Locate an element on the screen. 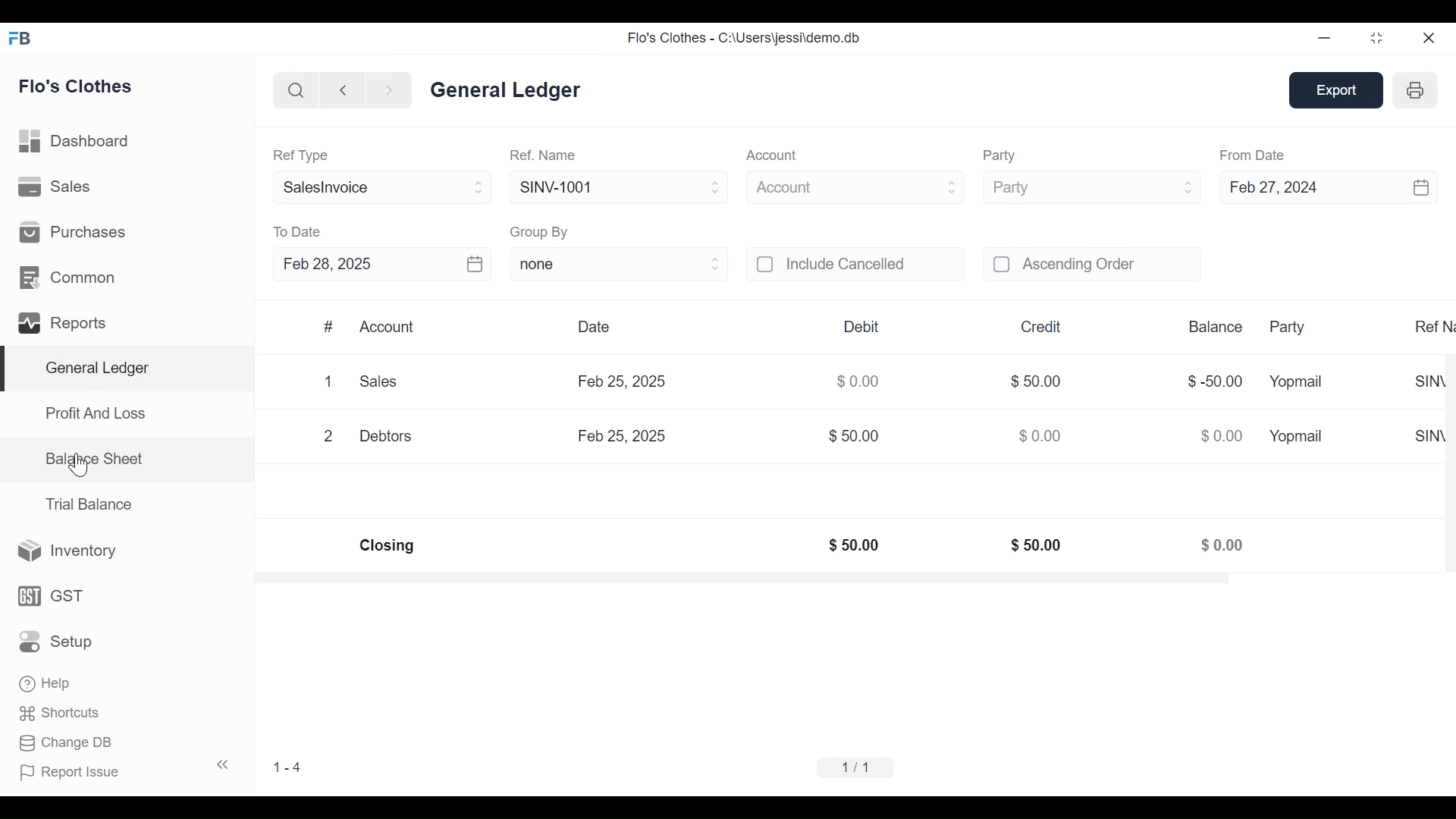 This screenshot has width=1456, height=819. Ref Type is located at coordinates (302, 156).